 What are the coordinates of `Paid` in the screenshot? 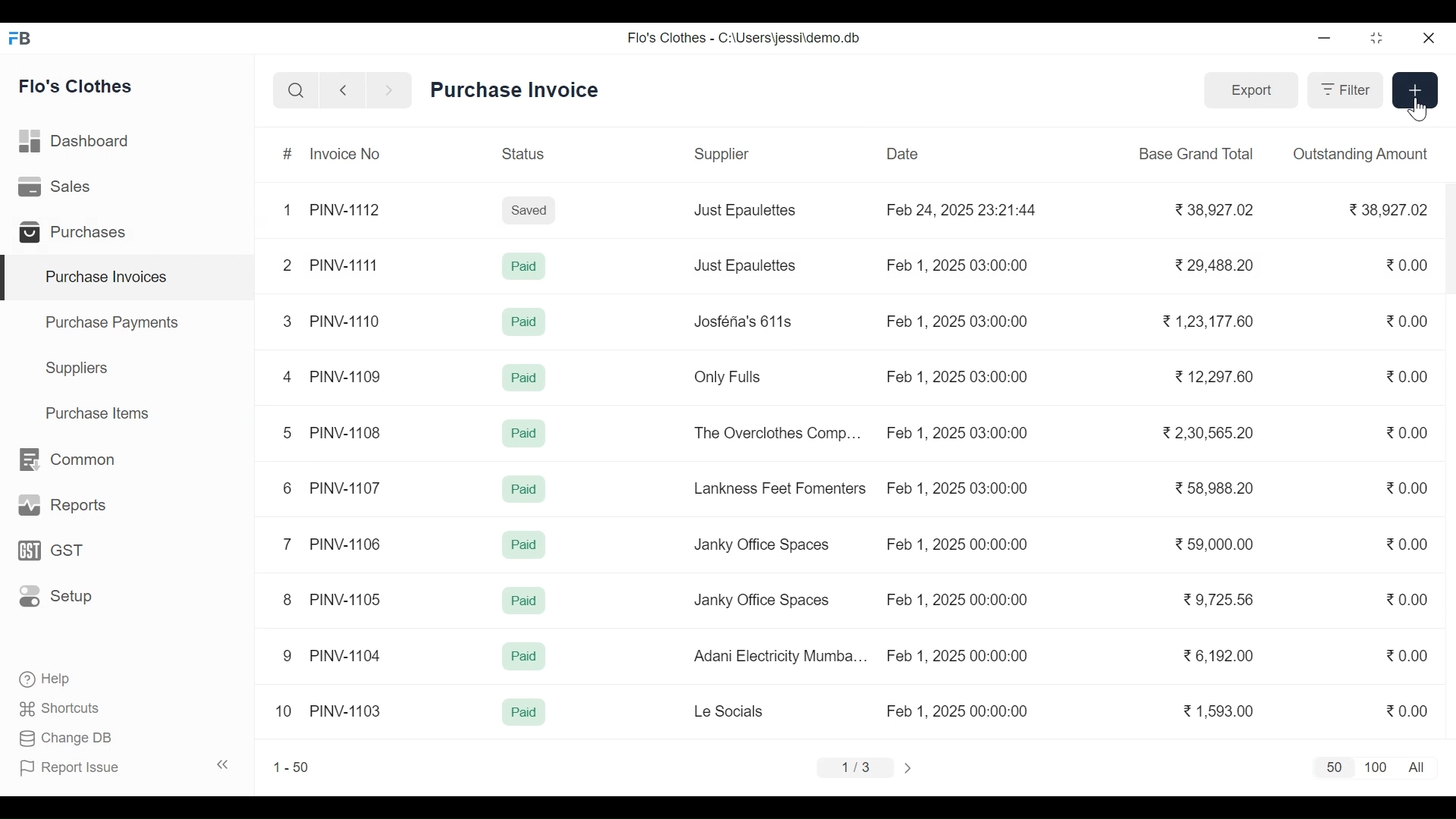 It's located at (524, 545).